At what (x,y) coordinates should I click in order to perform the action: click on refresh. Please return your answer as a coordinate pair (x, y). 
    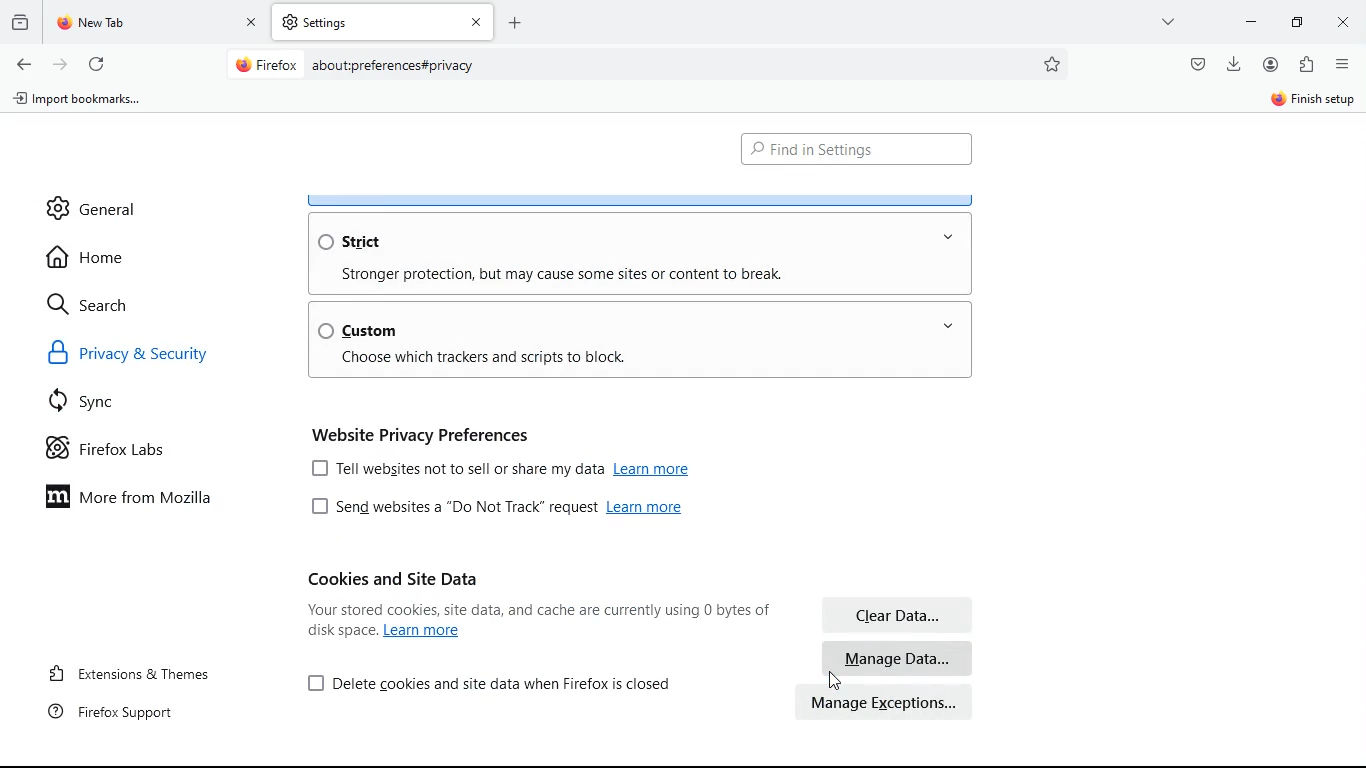
    Looking at the image, I should click on (96, 61).